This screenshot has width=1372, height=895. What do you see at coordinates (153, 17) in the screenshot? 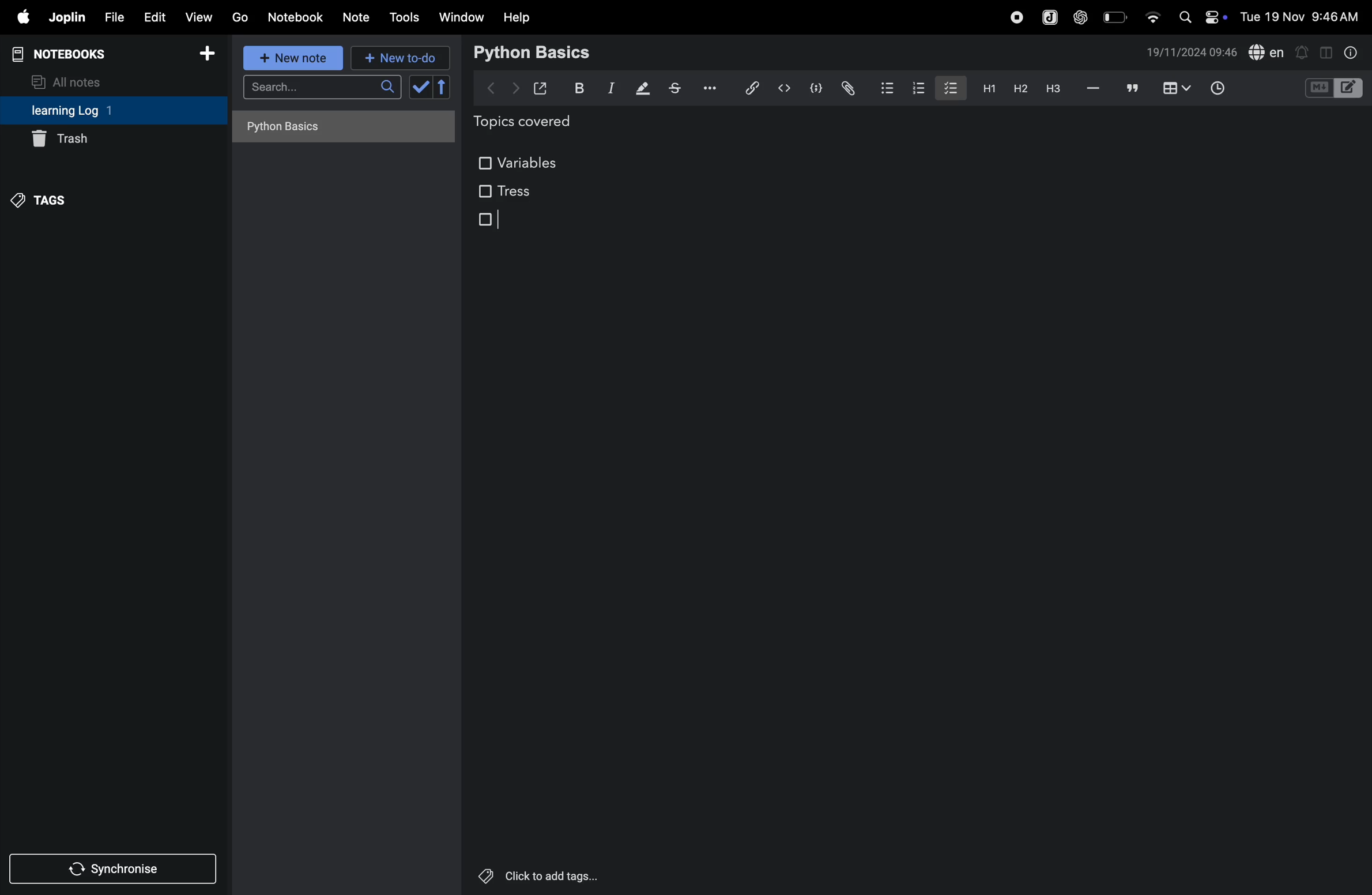
I see `edit` at bounding box center [153, 17].